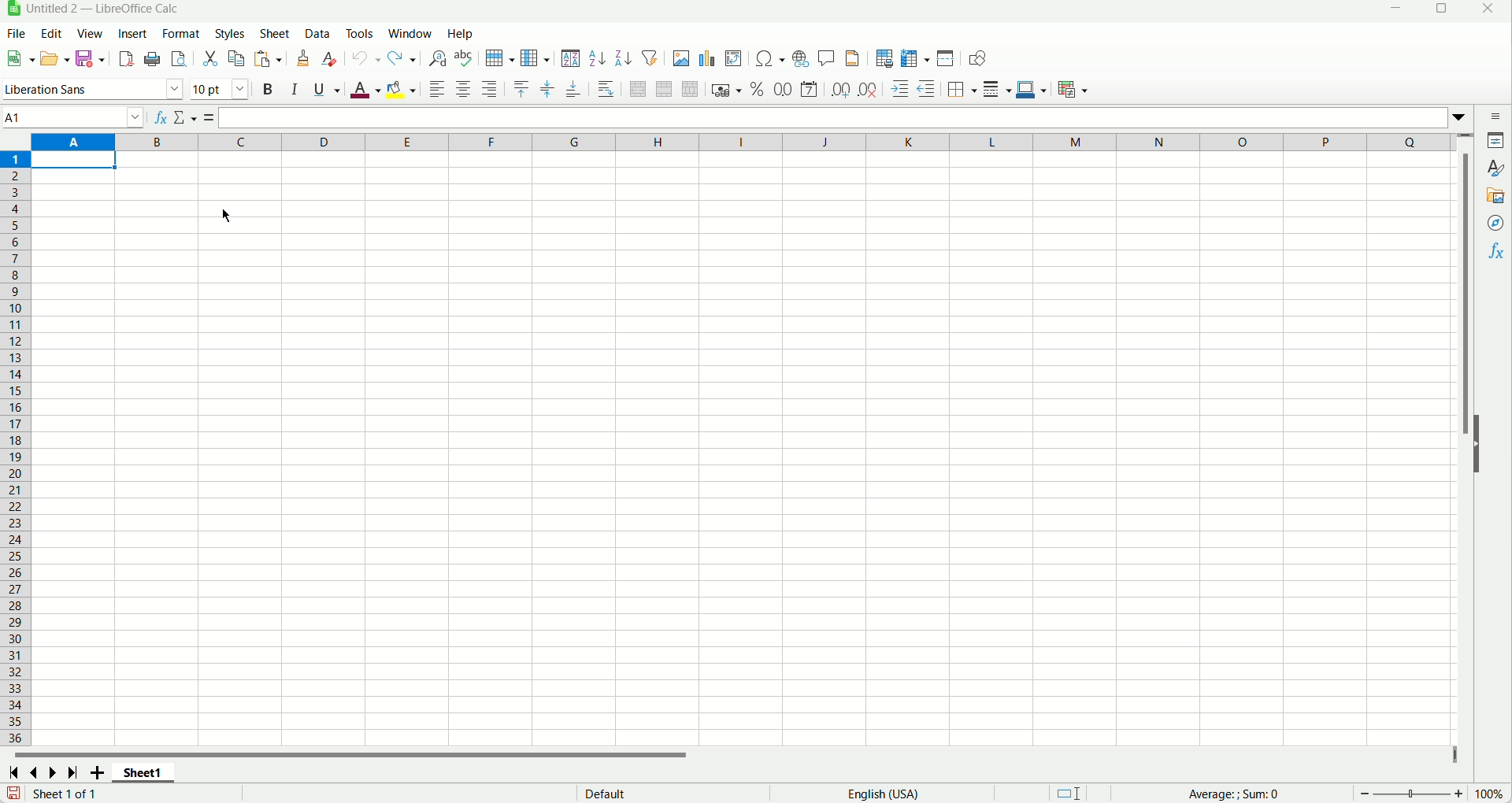 Image resolution: width=1512 pixels, height=803 pixels. What do you see at coordinates (802, 57) in the screenshot?
I see `Insert hyperlink` at bounding box center [802, 57].